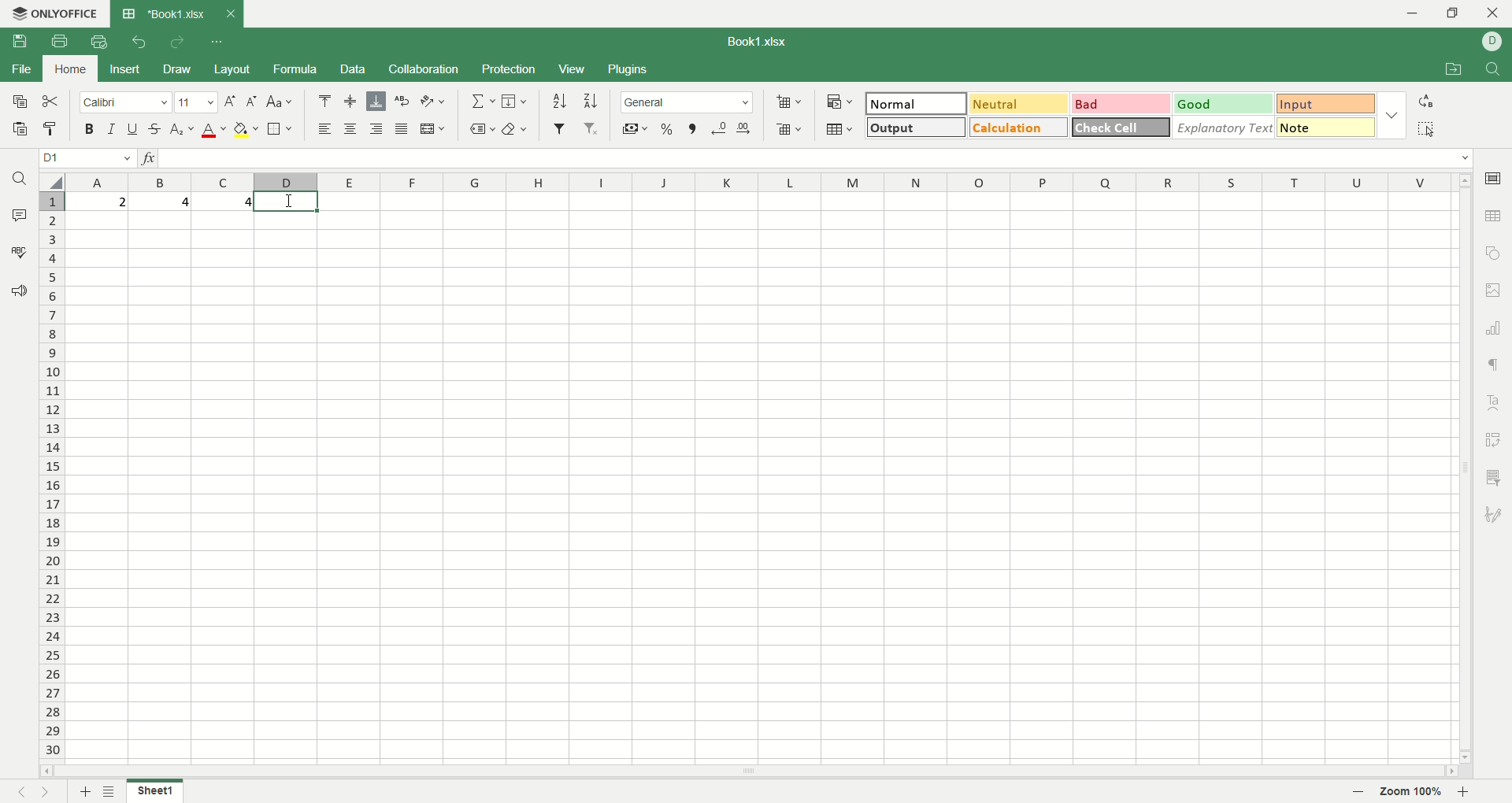  What do you see at coordinates (744, 129) in the screenshot?
I see `increase decimal` at bounding box center [744, 129].